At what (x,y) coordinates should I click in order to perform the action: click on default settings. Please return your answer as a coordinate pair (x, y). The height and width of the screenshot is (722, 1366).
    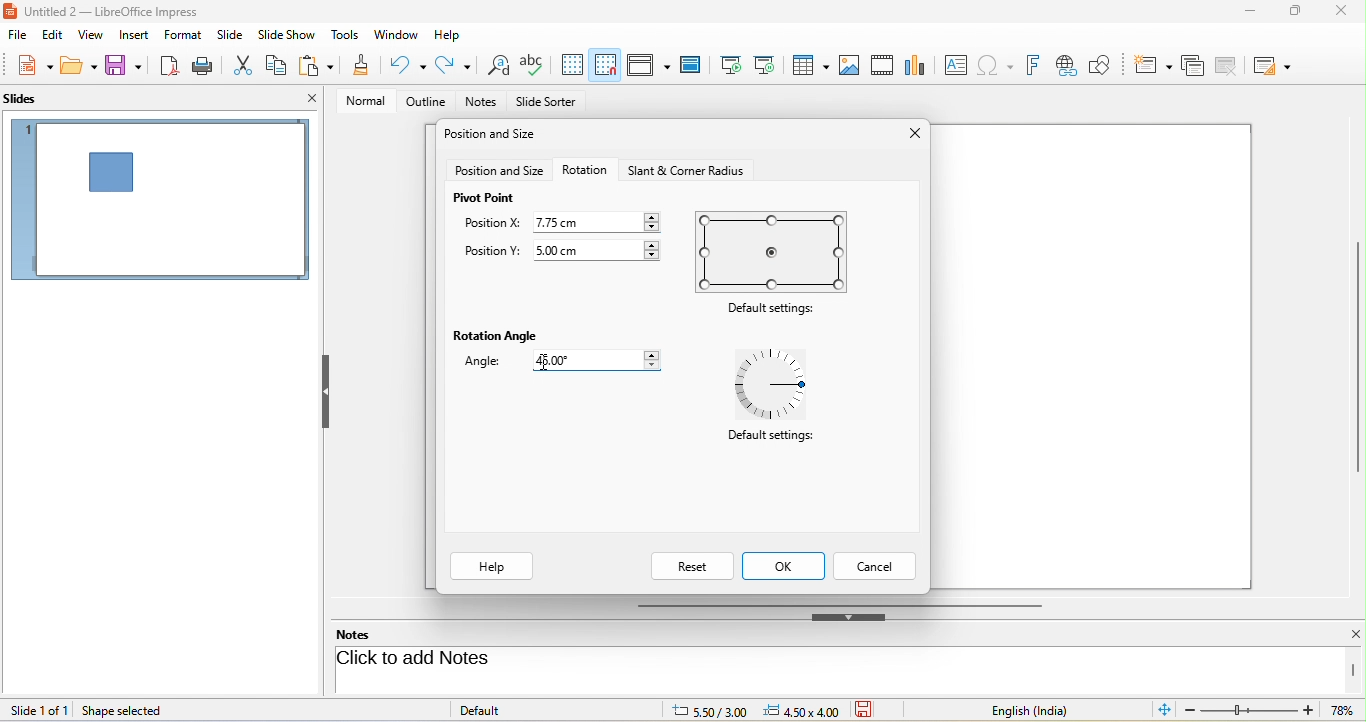
    Looking at the image, I should click on (775, 310).